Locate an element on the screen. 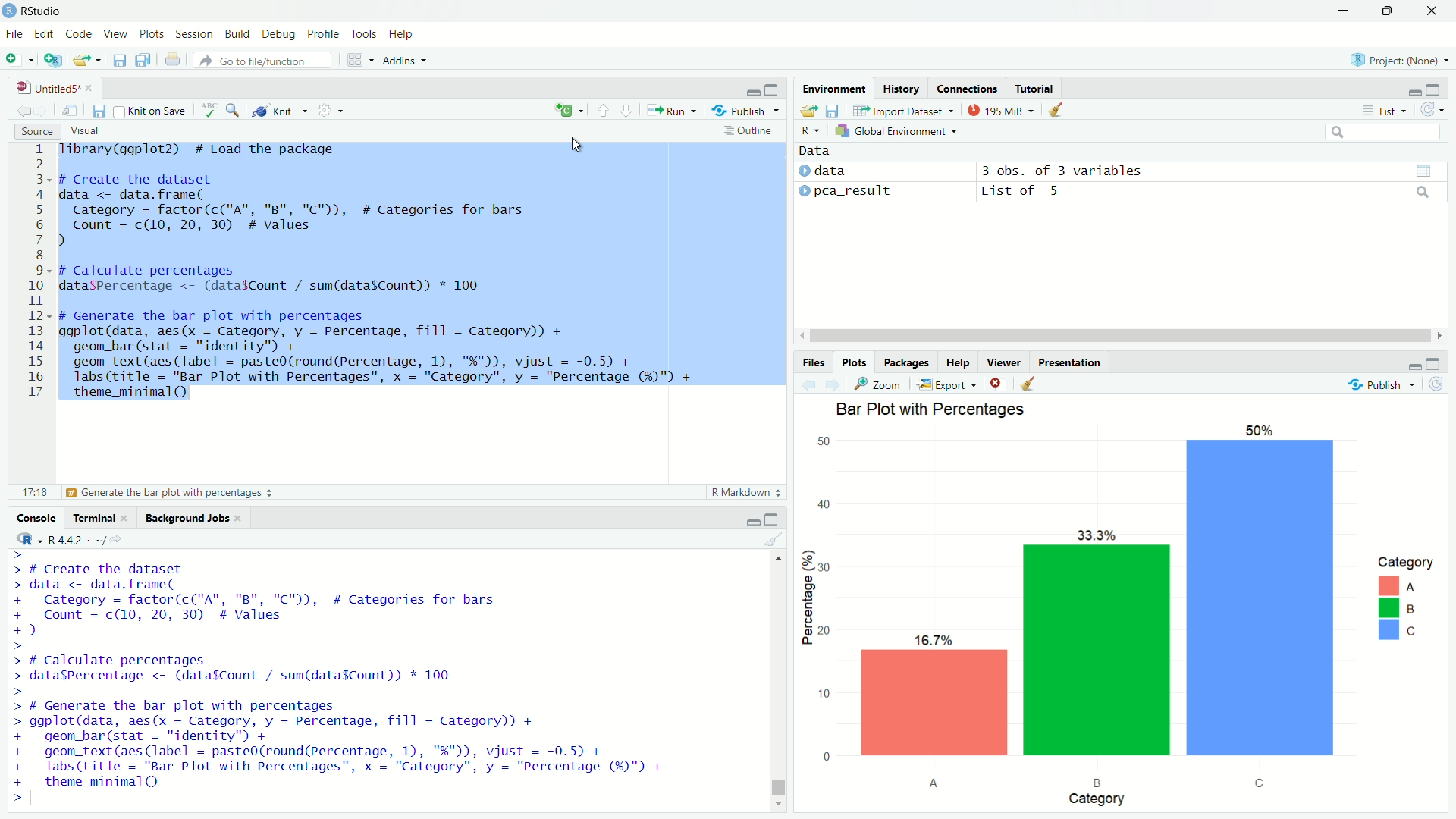 This screenshot has width=1456, height=819. bar plot with percentages is located at coordinates (1126, 604).